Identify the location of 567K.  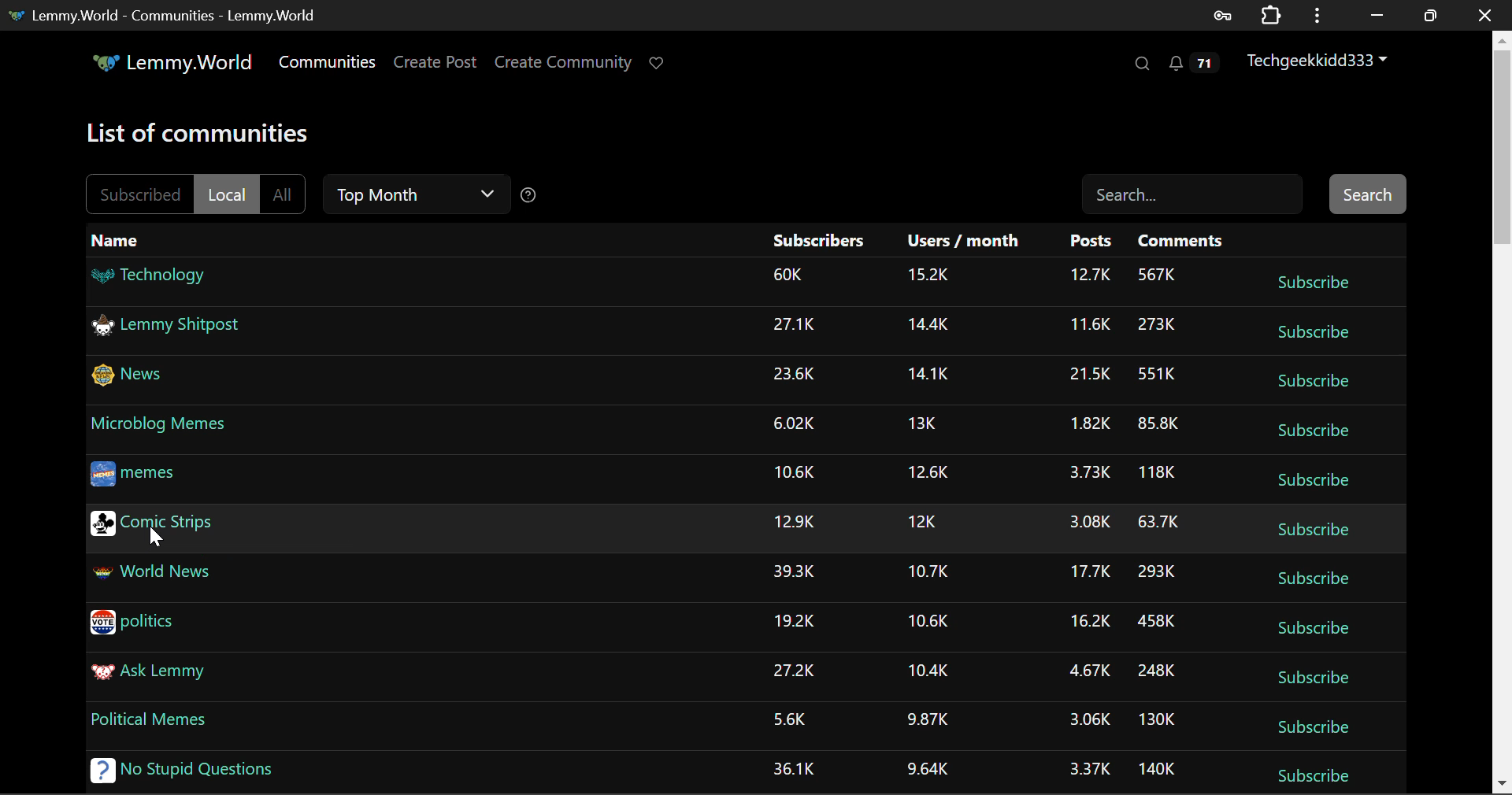
(1157, 275).